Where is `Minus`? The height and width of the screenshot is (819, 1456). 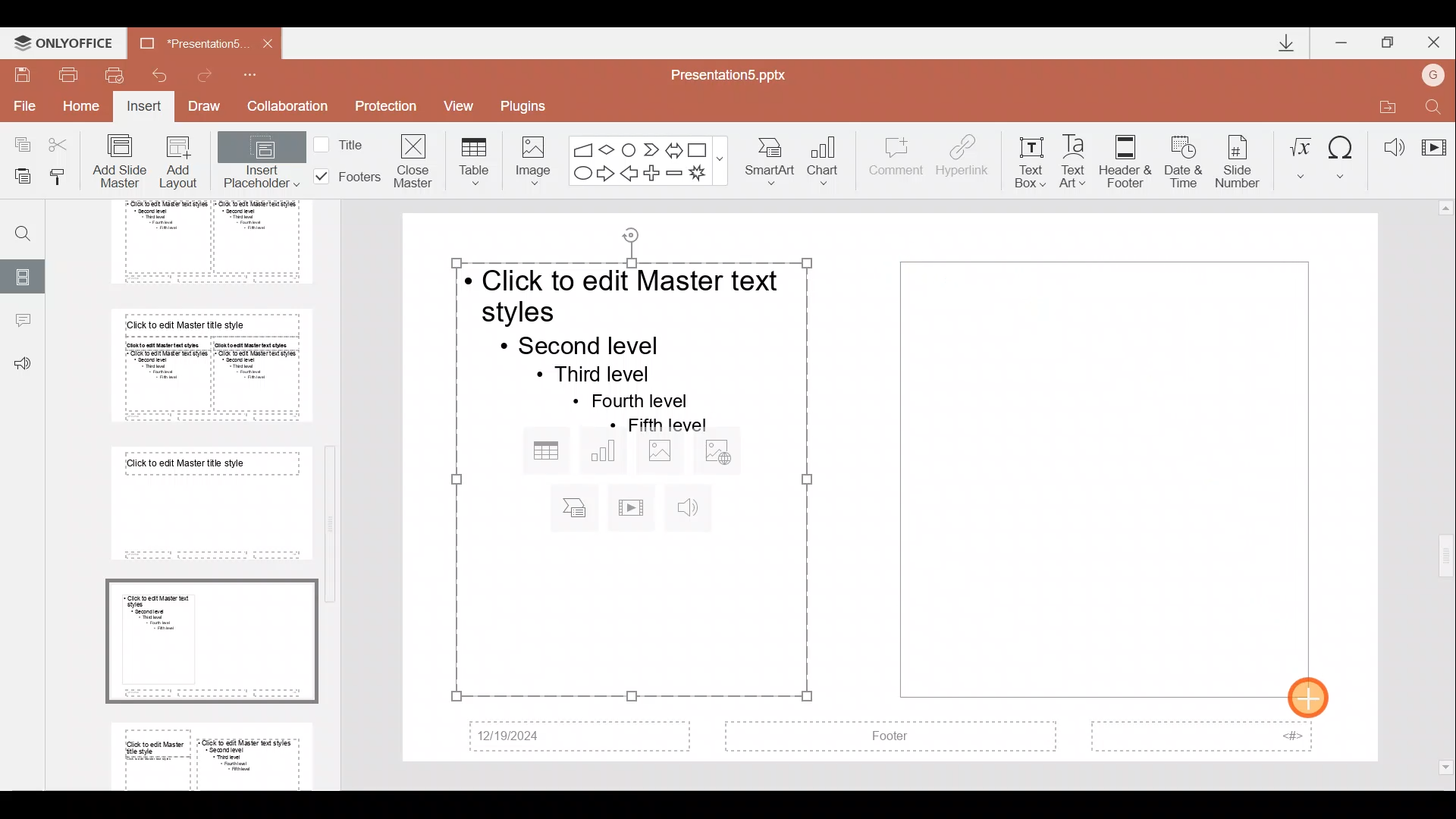 Minus is located at coordinates (675, 173).